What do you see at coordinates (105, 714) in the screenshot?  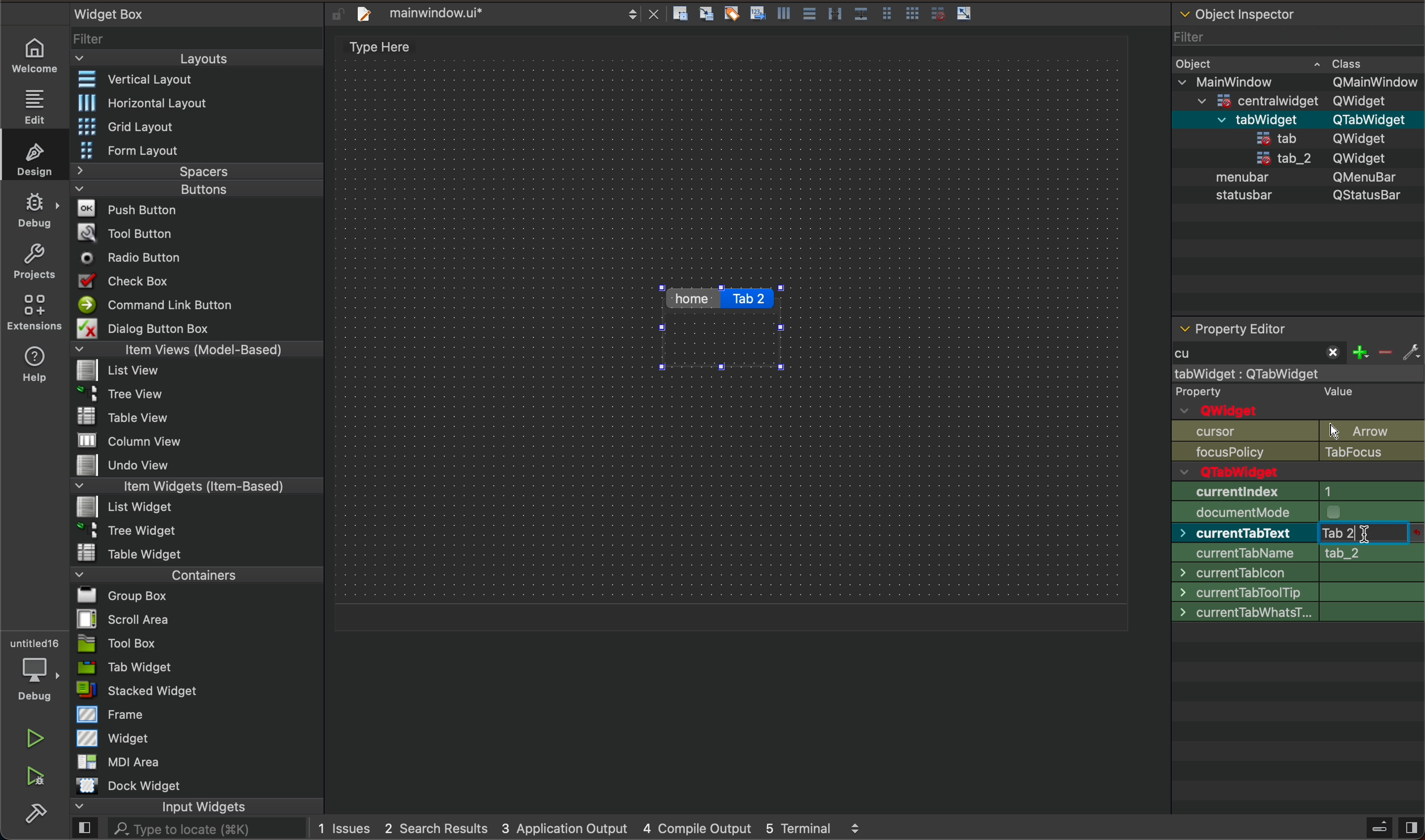 I see `Frame` at bounding box center [105, 714].